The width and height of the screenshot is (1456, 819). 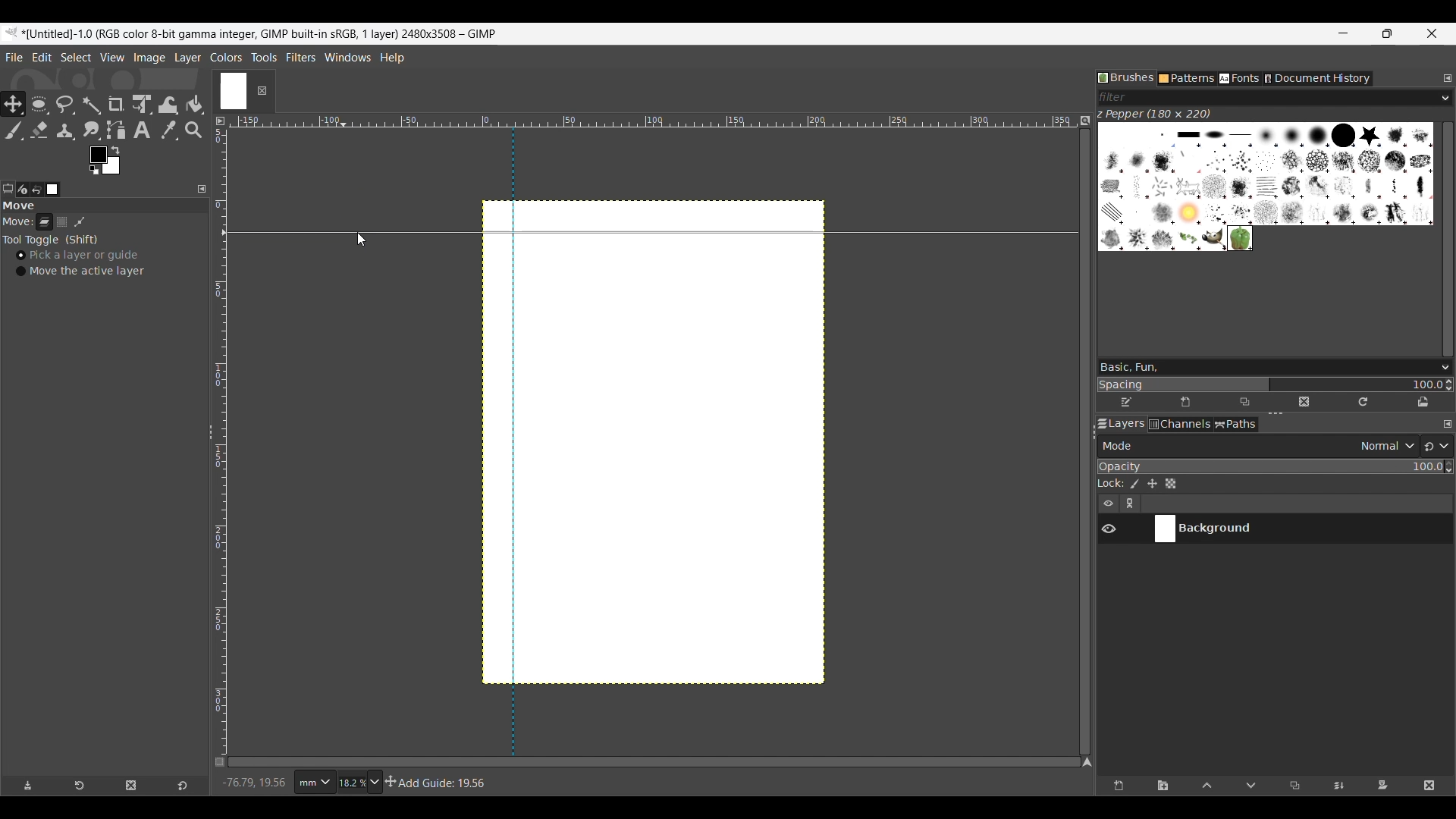 What do you see at coordinates (1317, 79) in the screenshot?
I see `Document history tab` at bounding box center [1317, 79].